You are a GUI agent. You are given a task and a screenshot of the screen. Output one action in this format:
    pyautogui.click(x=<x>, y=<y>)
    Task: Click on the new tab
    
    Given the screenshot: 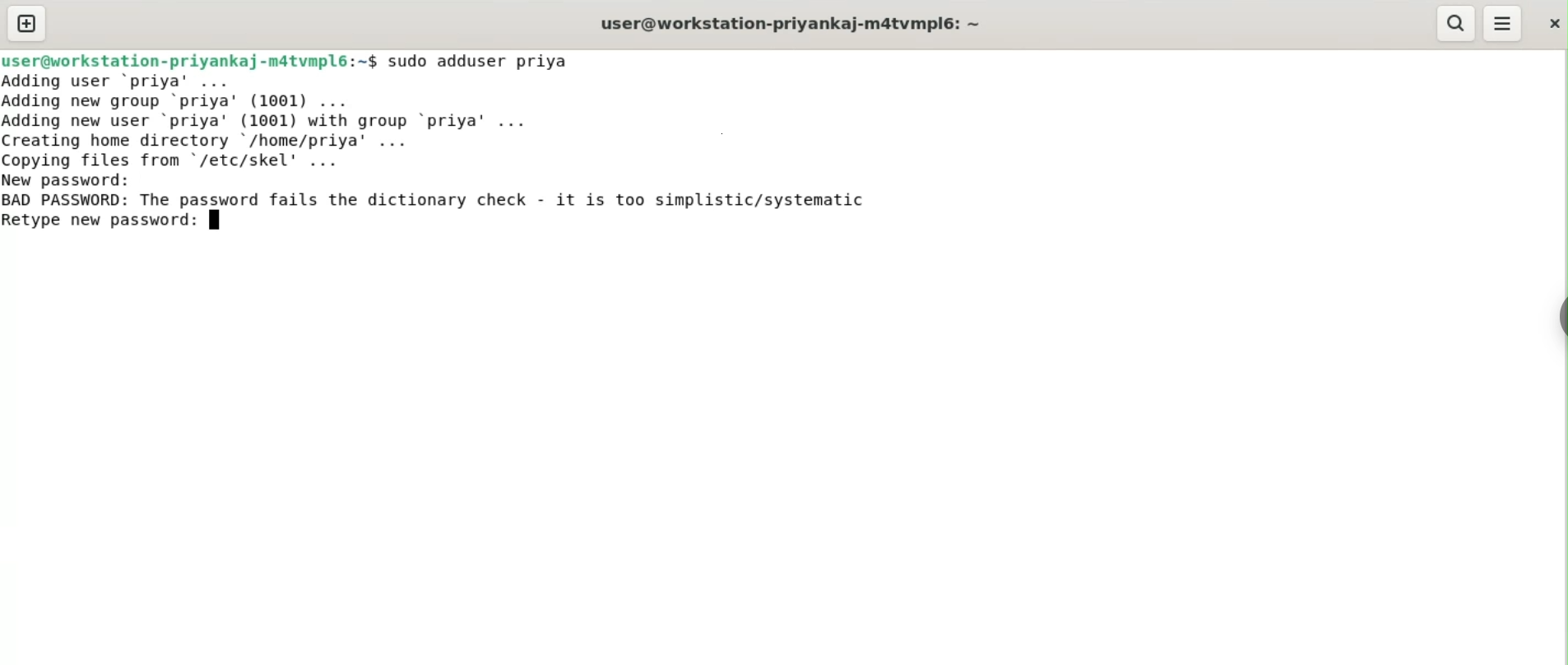 What is the action you would take?
    pyautogui.click(x=26, y=23)
    